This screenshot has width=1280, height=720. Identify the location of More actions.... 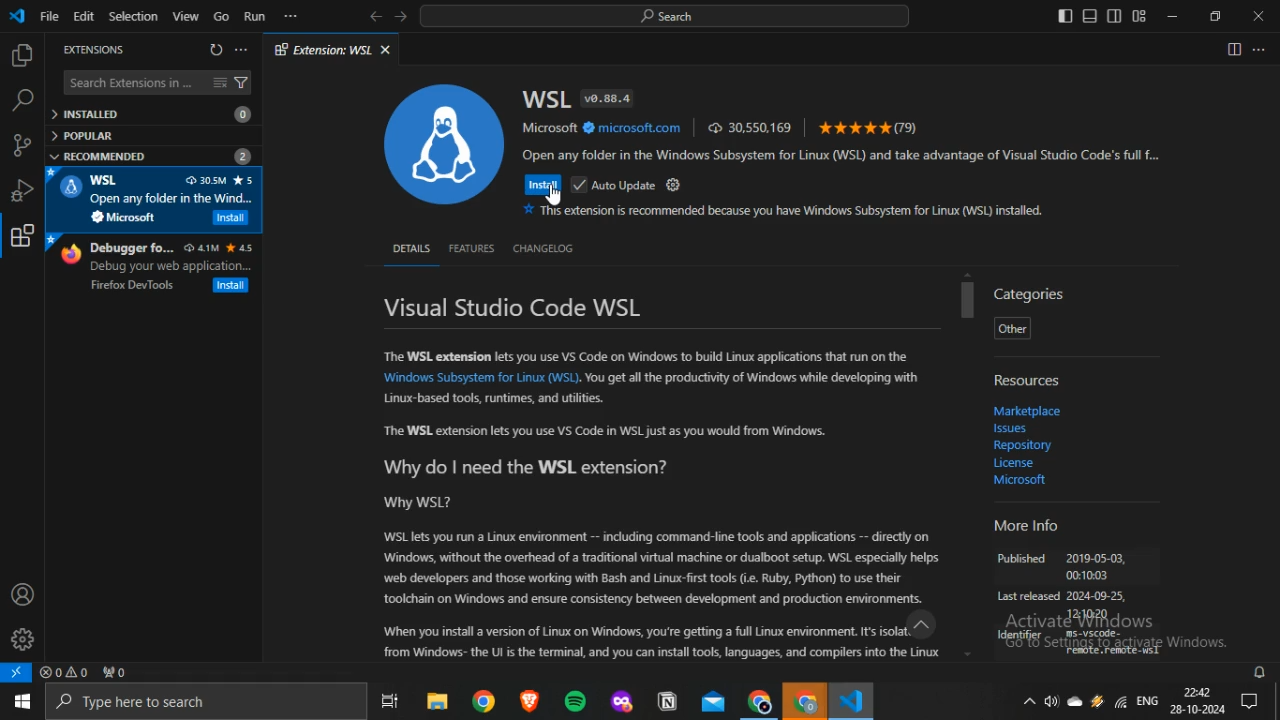
(1259, 49).